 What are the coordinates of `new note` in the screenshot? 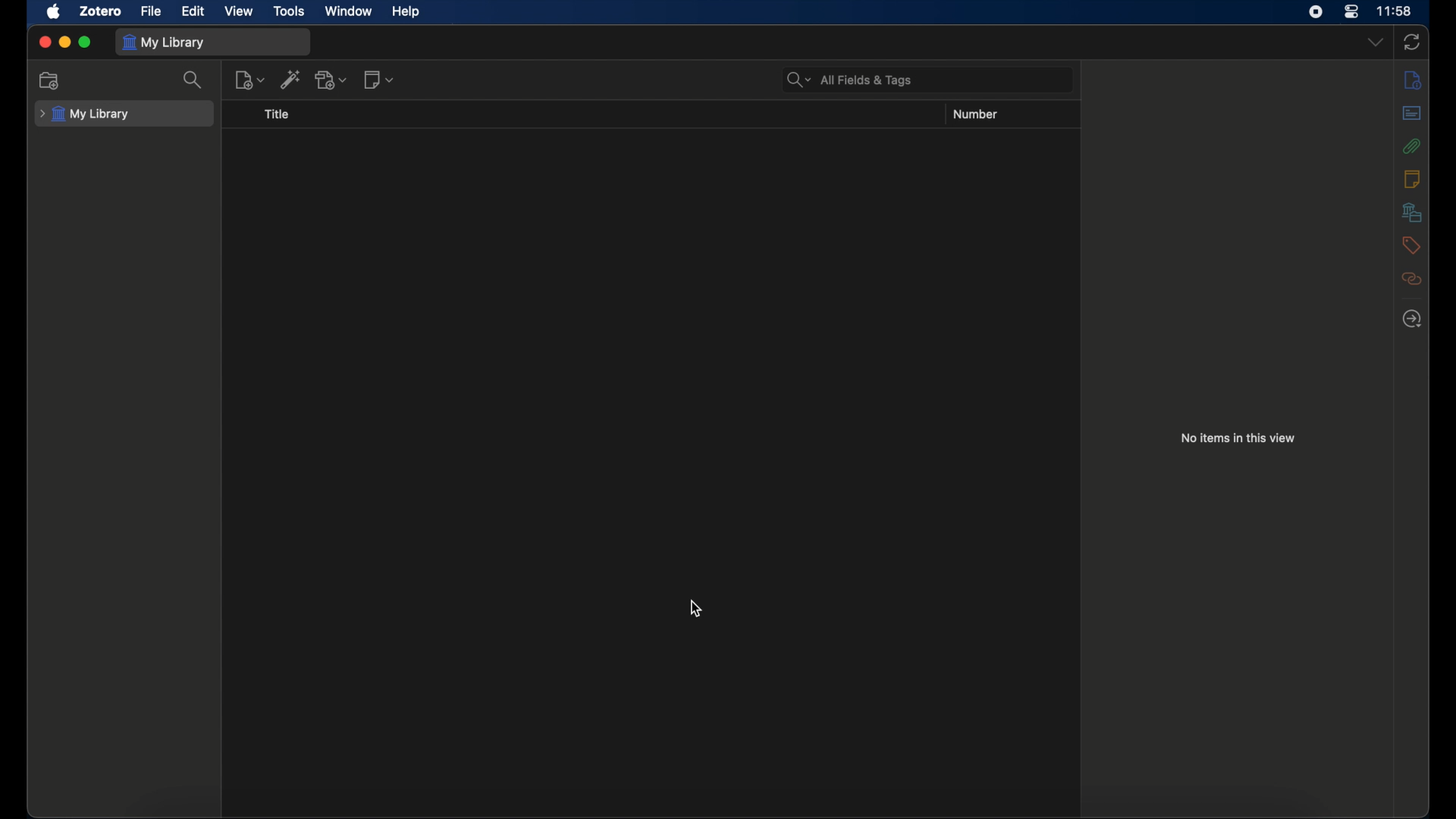 It's located at (381, 79).